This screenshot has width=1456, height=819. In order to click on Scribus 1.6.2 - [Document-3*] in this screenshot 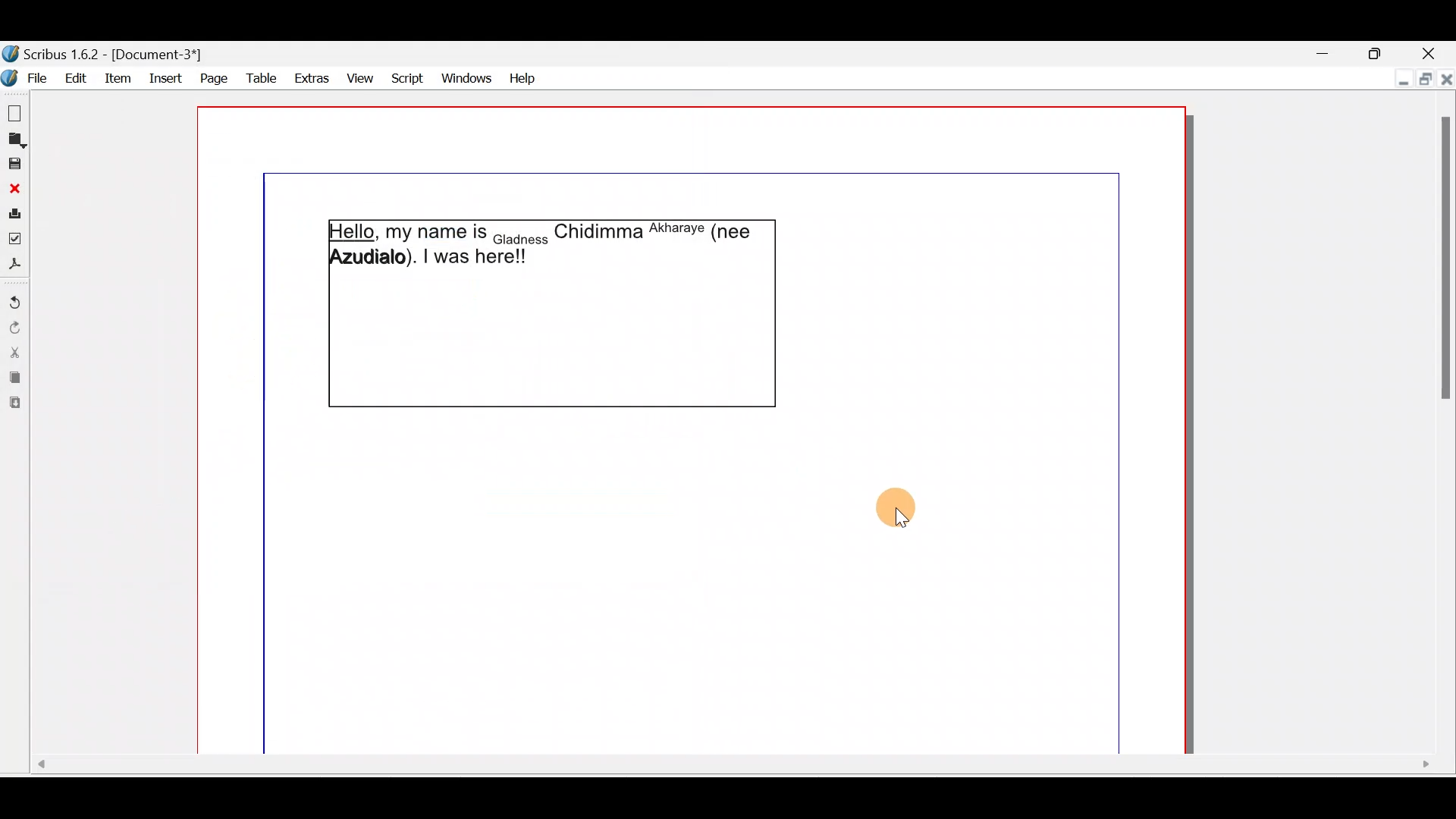, I will do `click(111, 55)`.